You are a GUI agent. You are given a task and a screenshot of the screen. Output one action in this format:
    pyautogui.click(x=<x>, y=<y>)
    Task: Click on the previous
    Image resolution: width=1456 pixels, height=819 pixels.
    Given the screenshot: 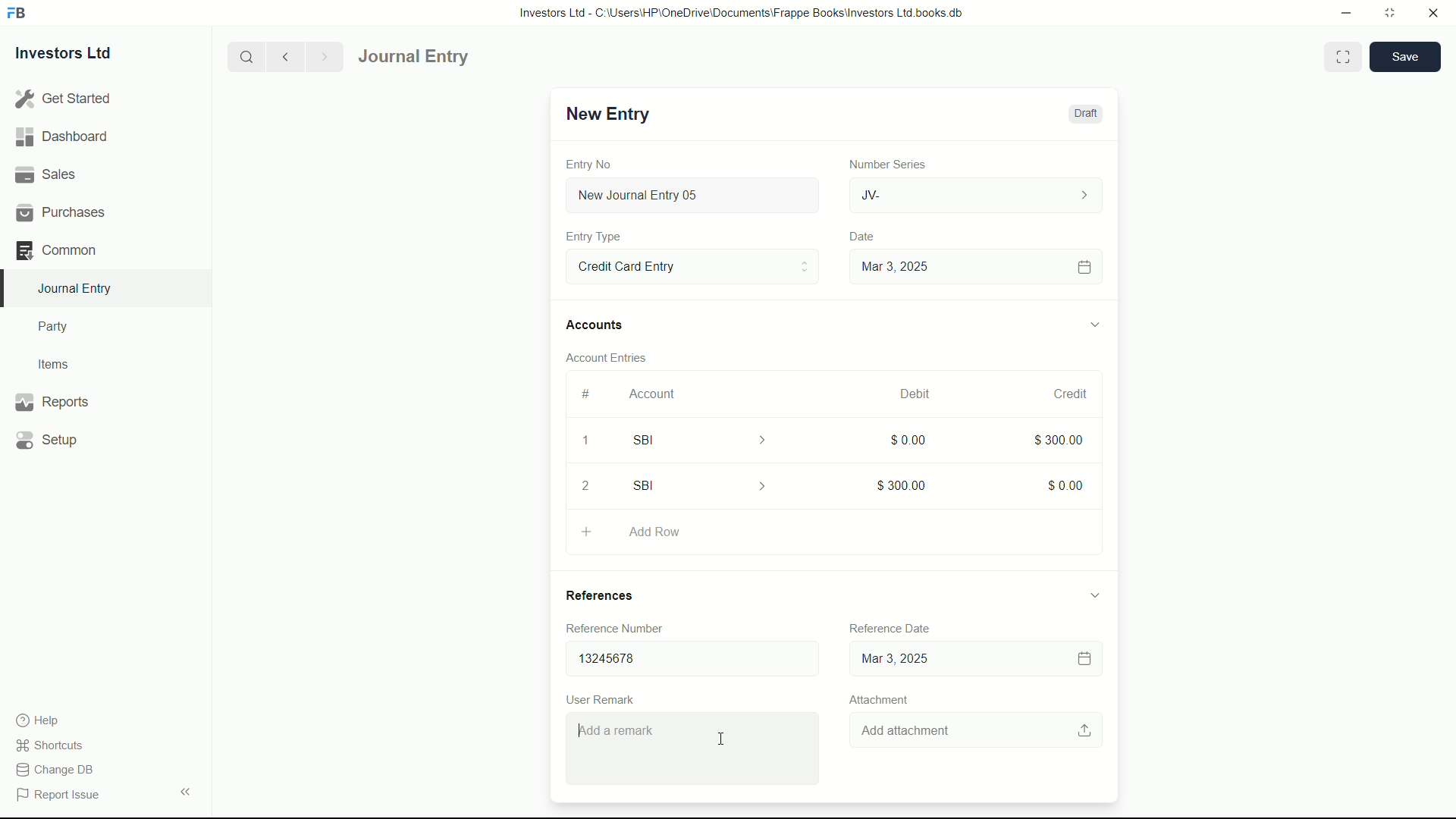 What is the action you would take?
    pyautogui.click(x=284, y=56)
    